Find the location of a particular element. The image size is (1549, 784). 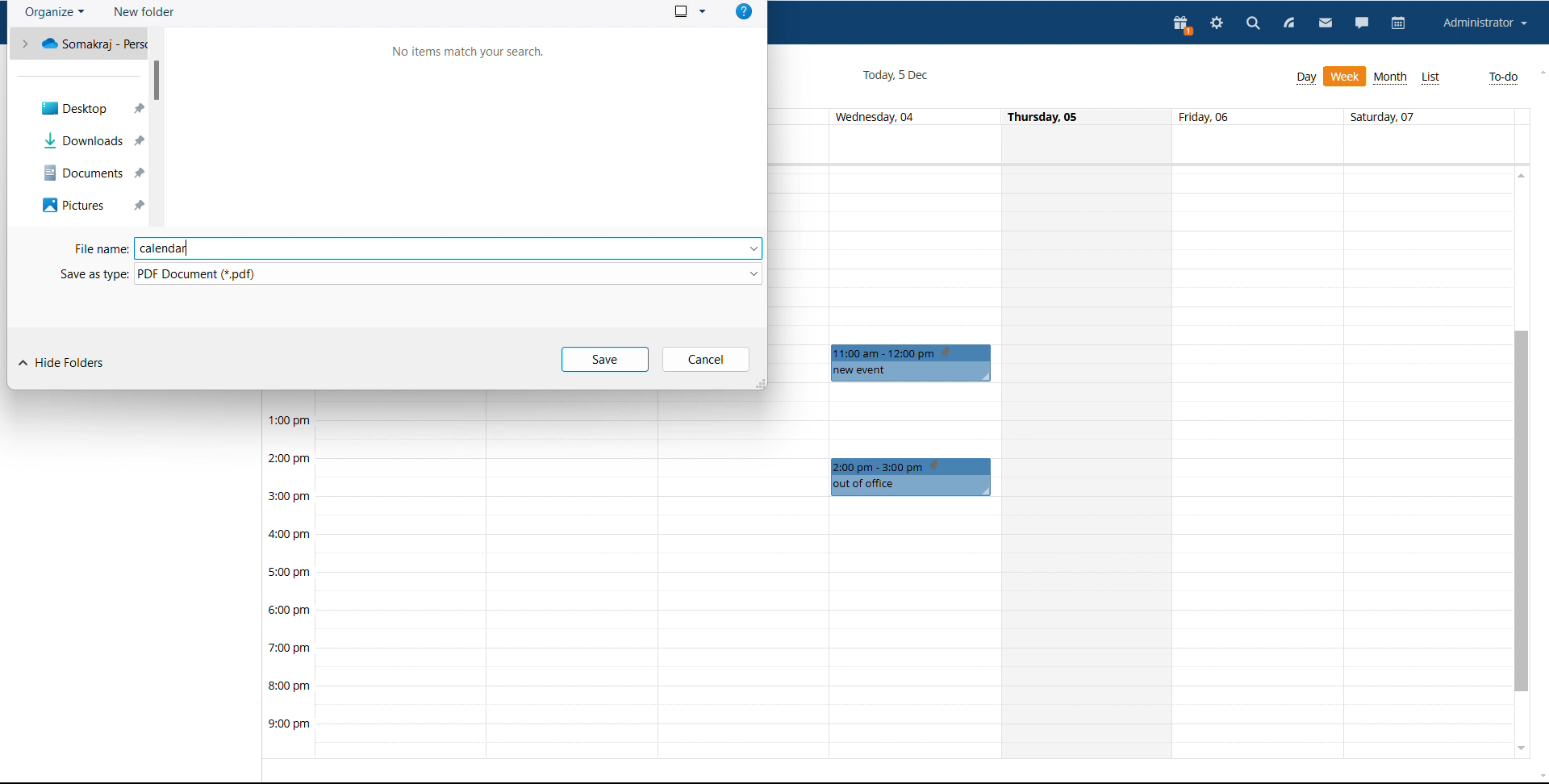

day view is located at coordinates (1306, 78).